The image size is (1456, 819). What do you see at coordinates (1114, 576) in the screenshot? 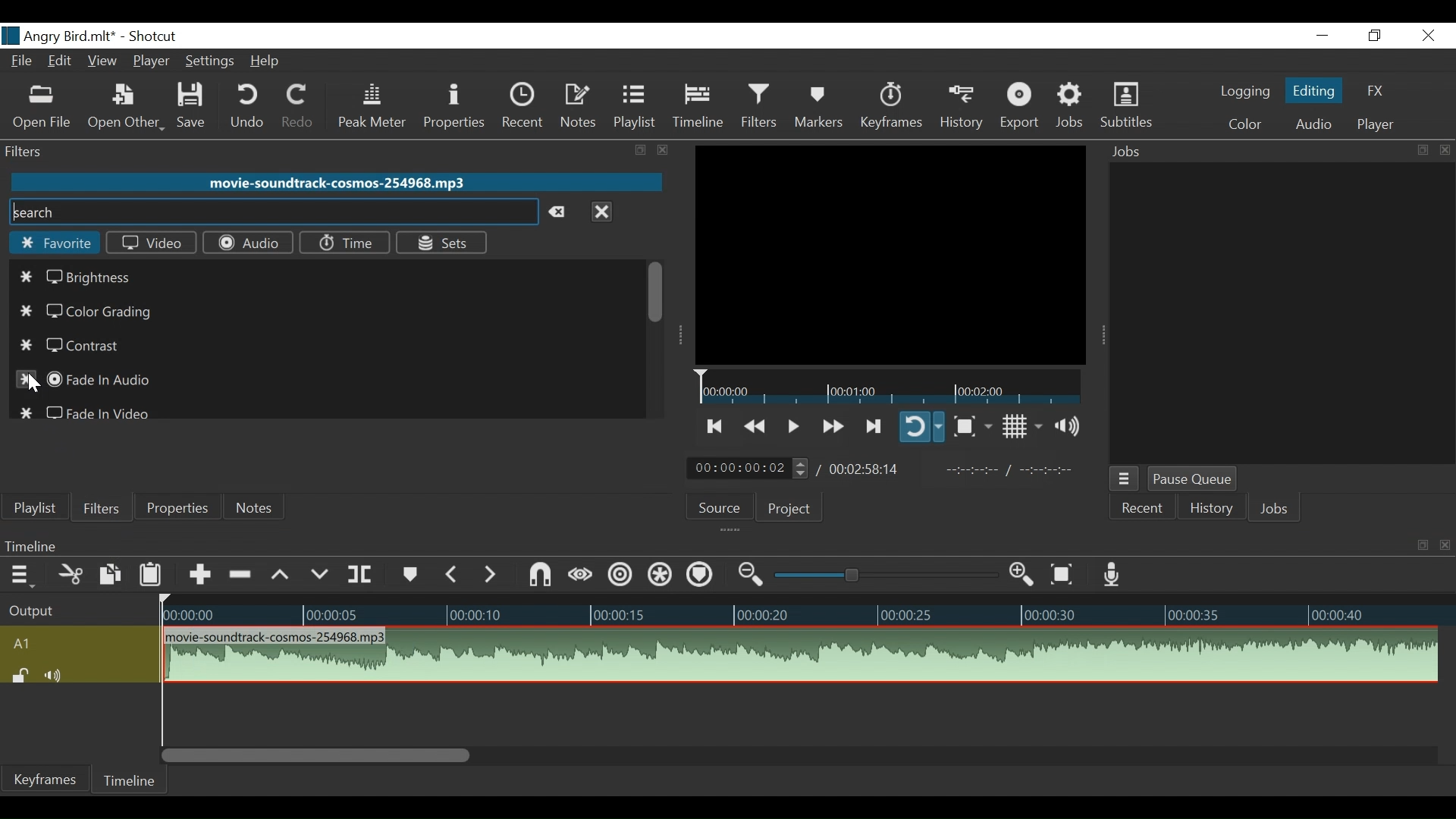
I see `Record audio` at bounding box center [1114, 576].